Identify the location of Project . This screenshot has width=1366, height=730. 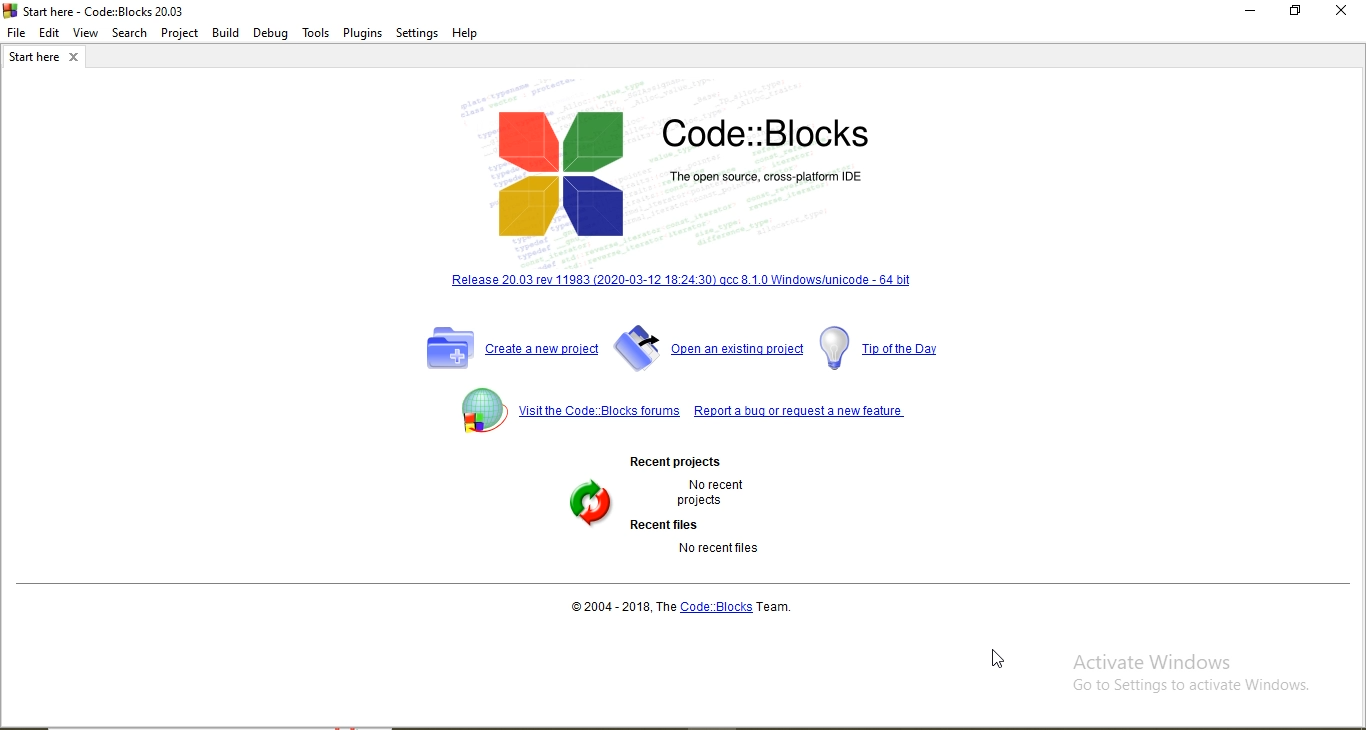
(180, 30).